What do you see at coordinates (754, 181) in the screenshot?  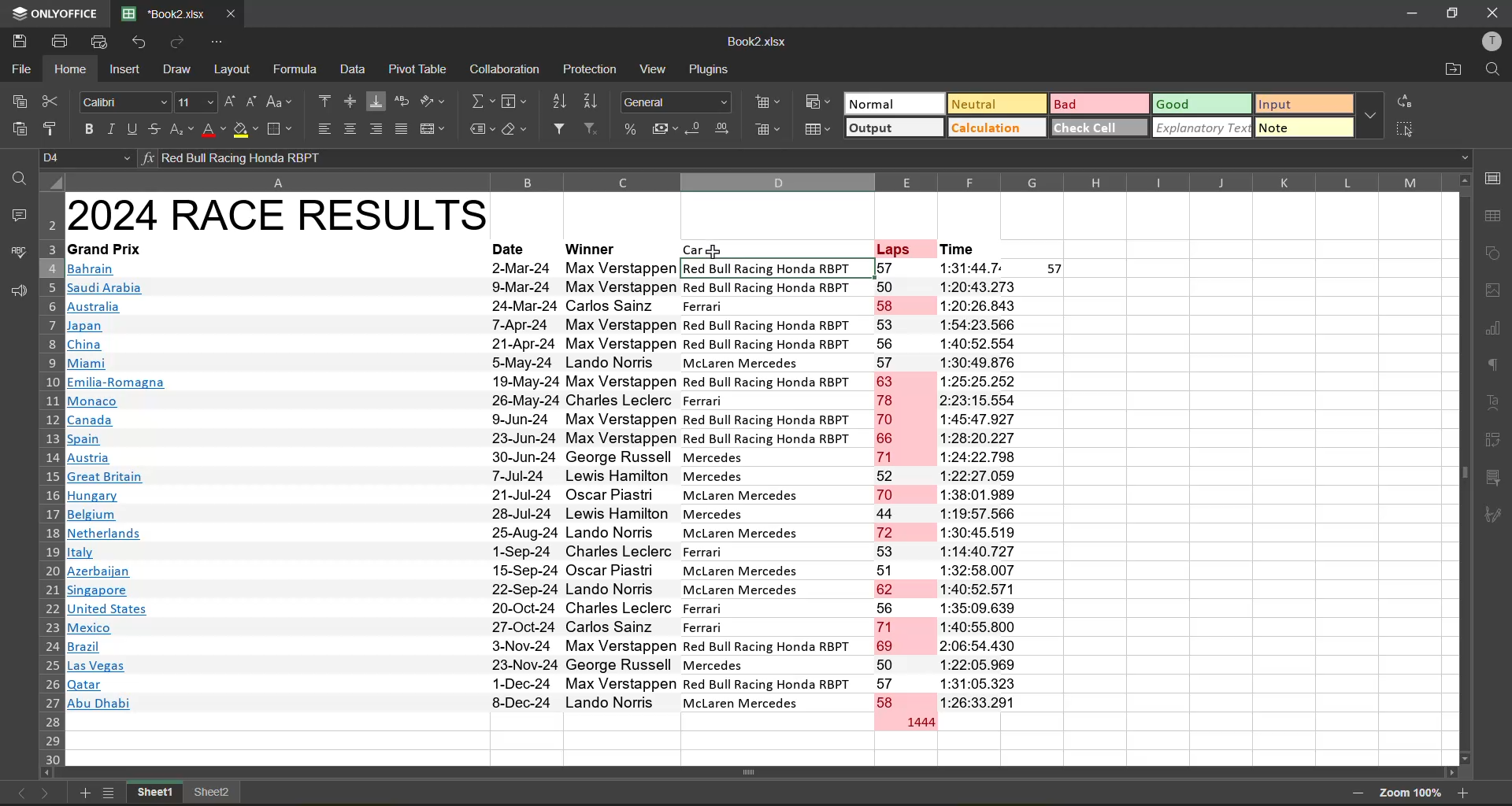 I see `column names` at bounding box center [754, 181].